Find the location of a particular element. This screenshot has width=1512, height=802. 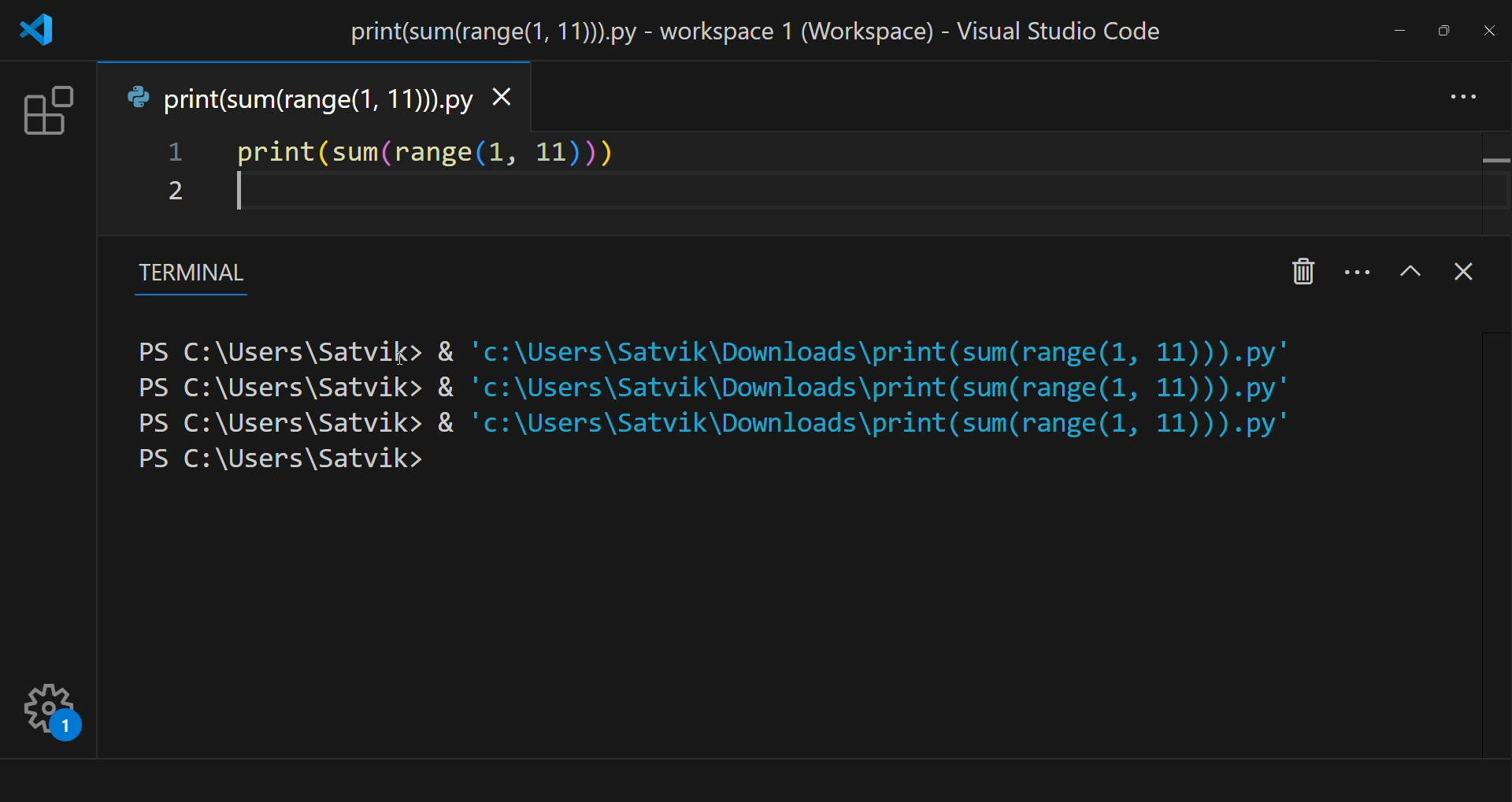

tab name is located at coordinates (298, 95).